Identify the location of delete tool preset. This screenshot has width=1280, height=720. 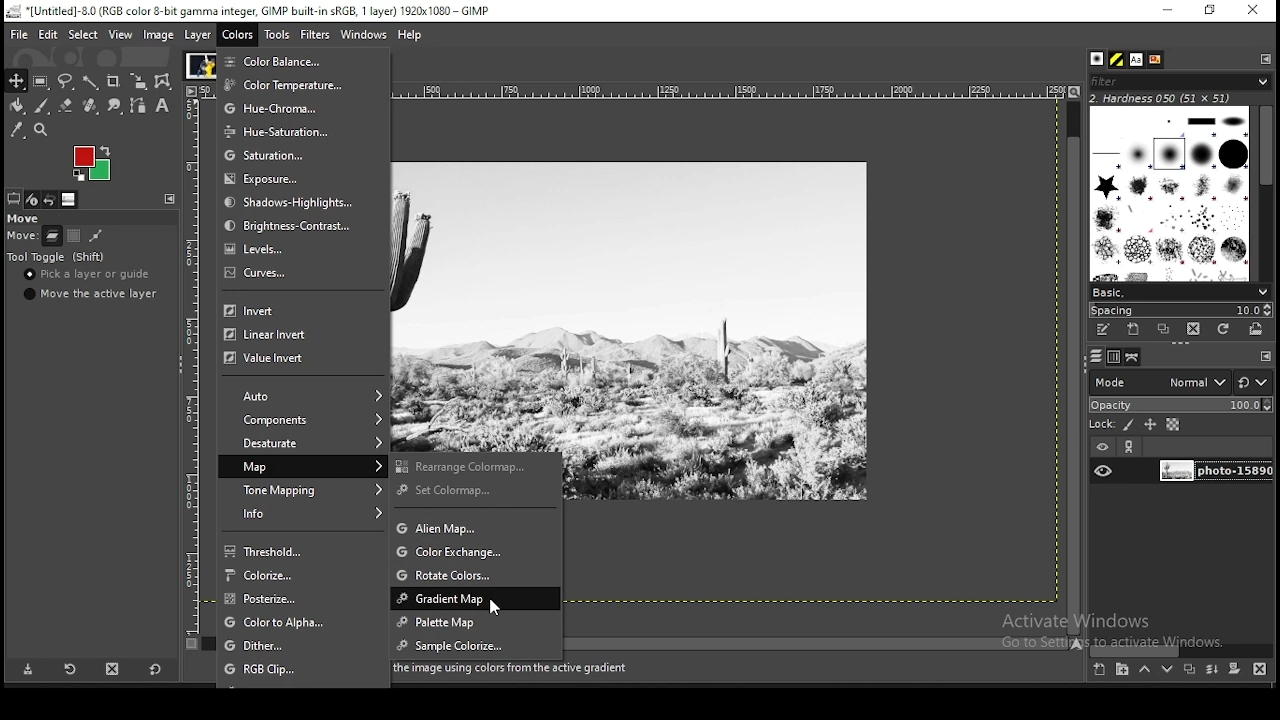
(112, 669).